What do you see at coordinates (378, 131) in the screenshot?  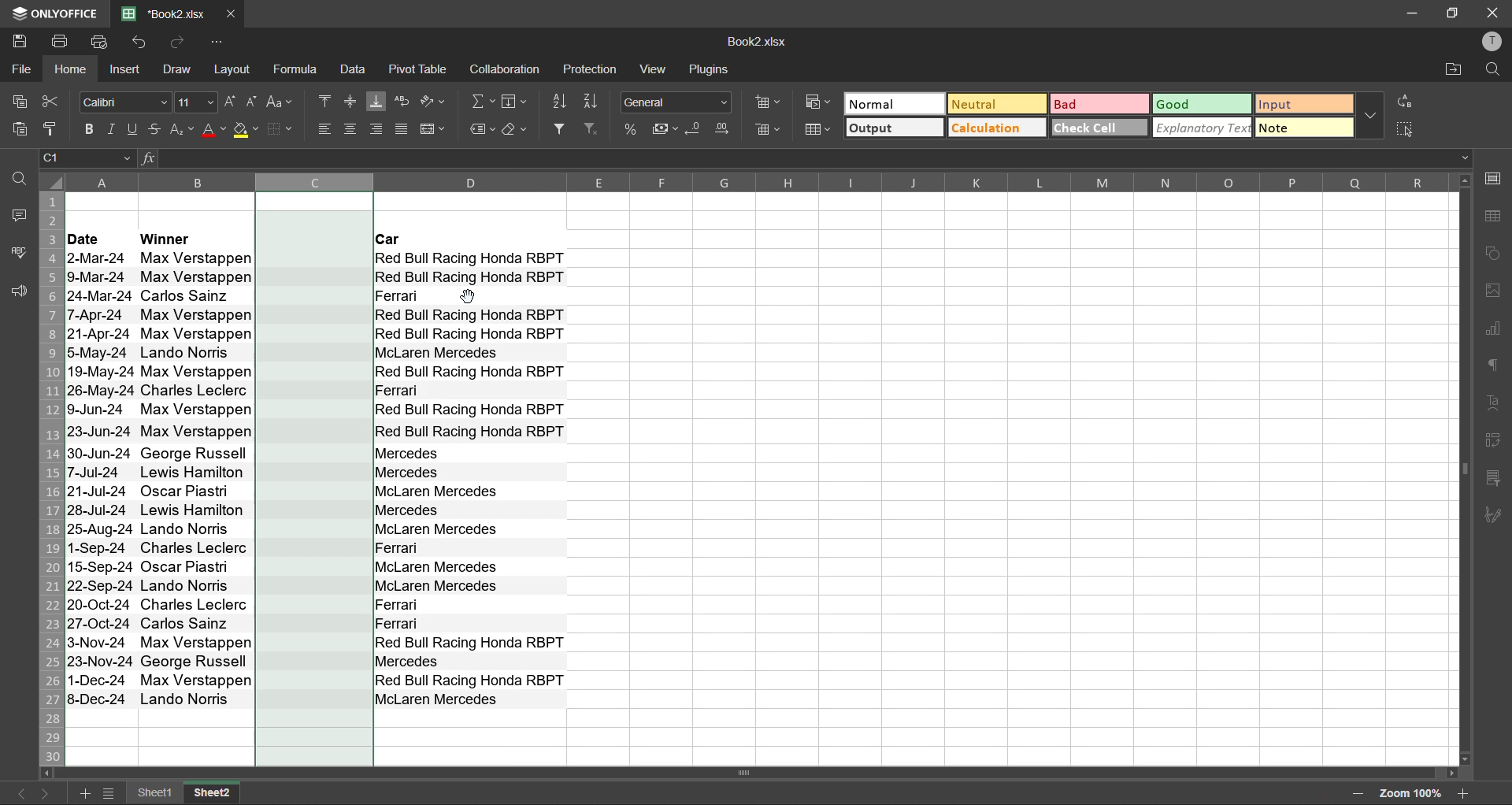 I see `align right` at bounding box center [378, 131].